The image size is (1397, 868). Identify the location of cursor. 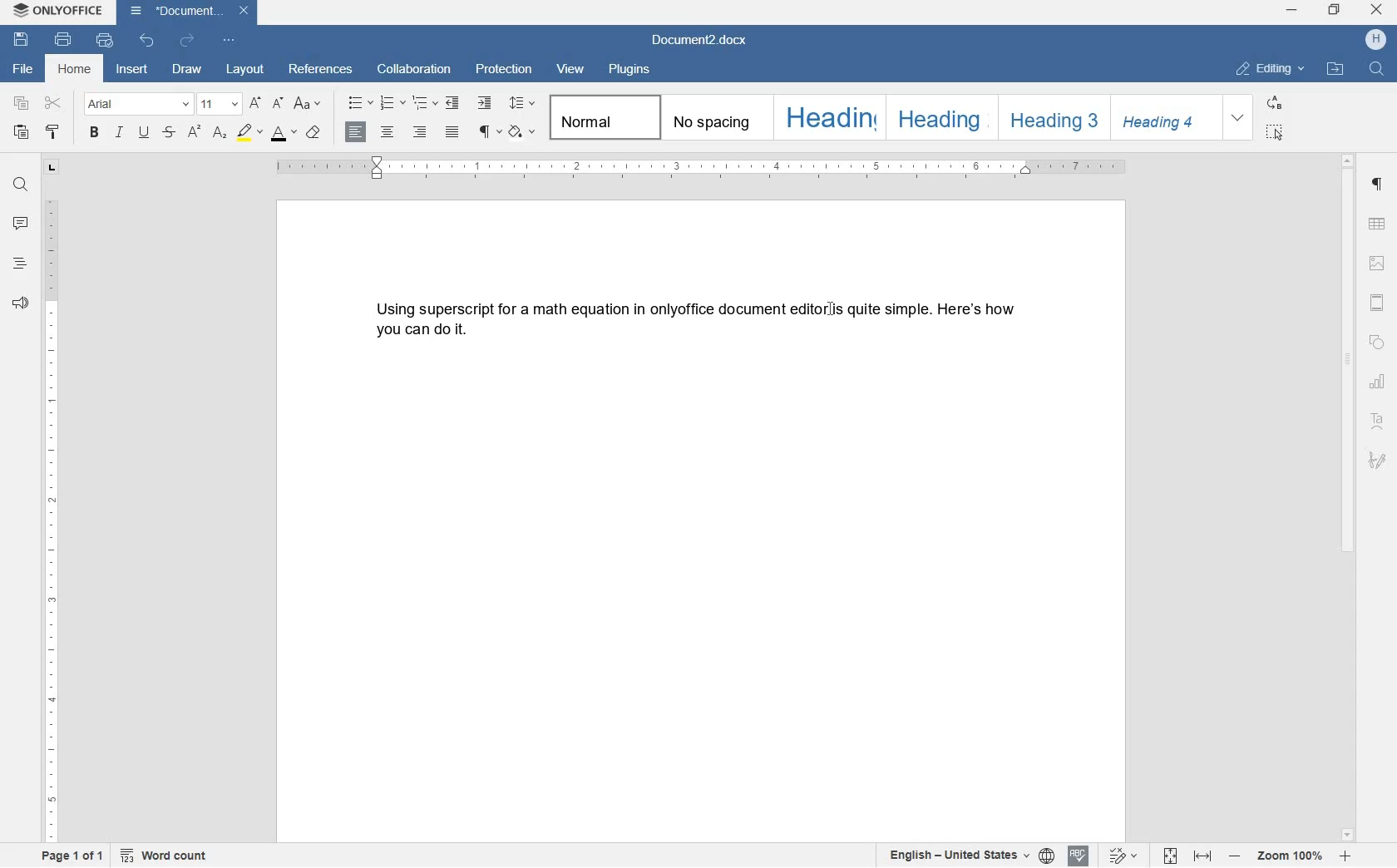
(832, 313).